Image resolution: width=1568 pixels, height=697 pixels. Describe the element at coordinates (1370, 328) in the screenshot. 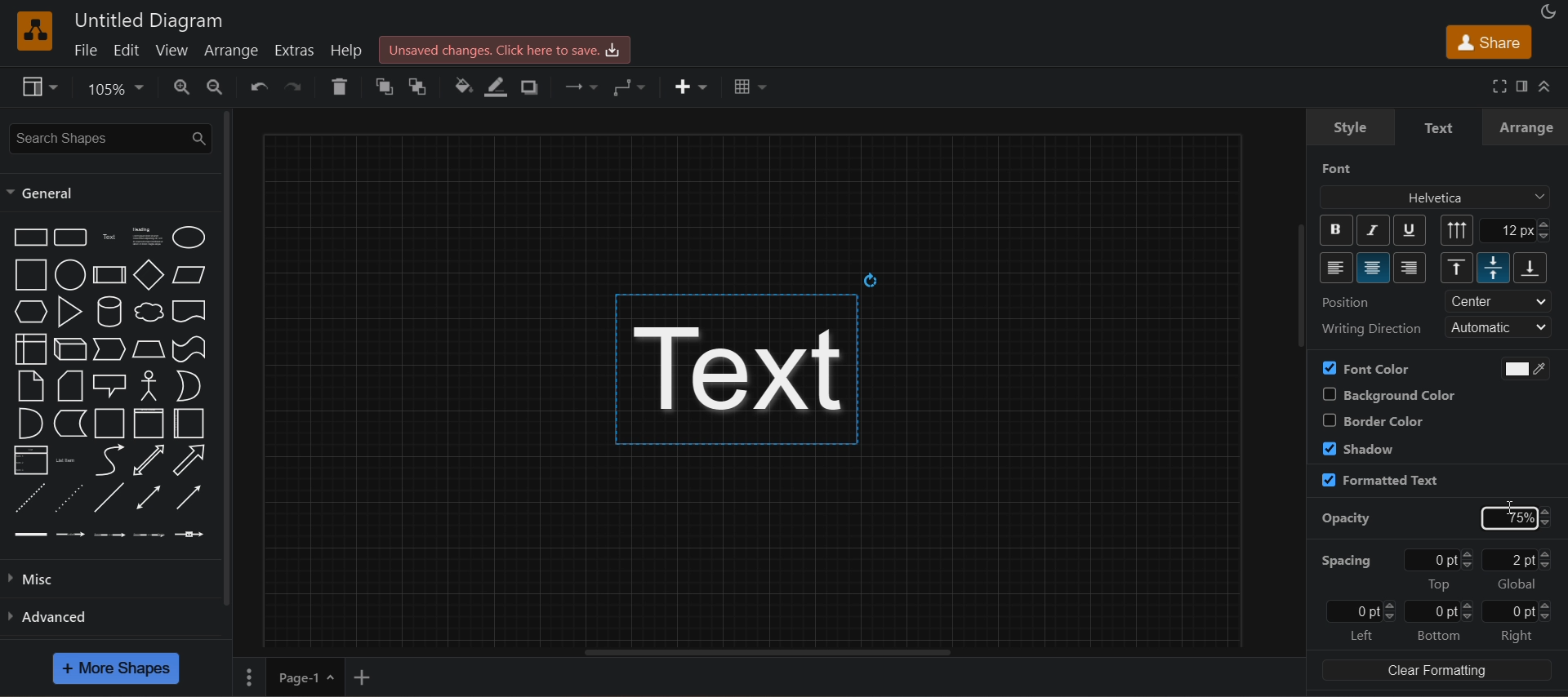

I see `writing direction` at that location.